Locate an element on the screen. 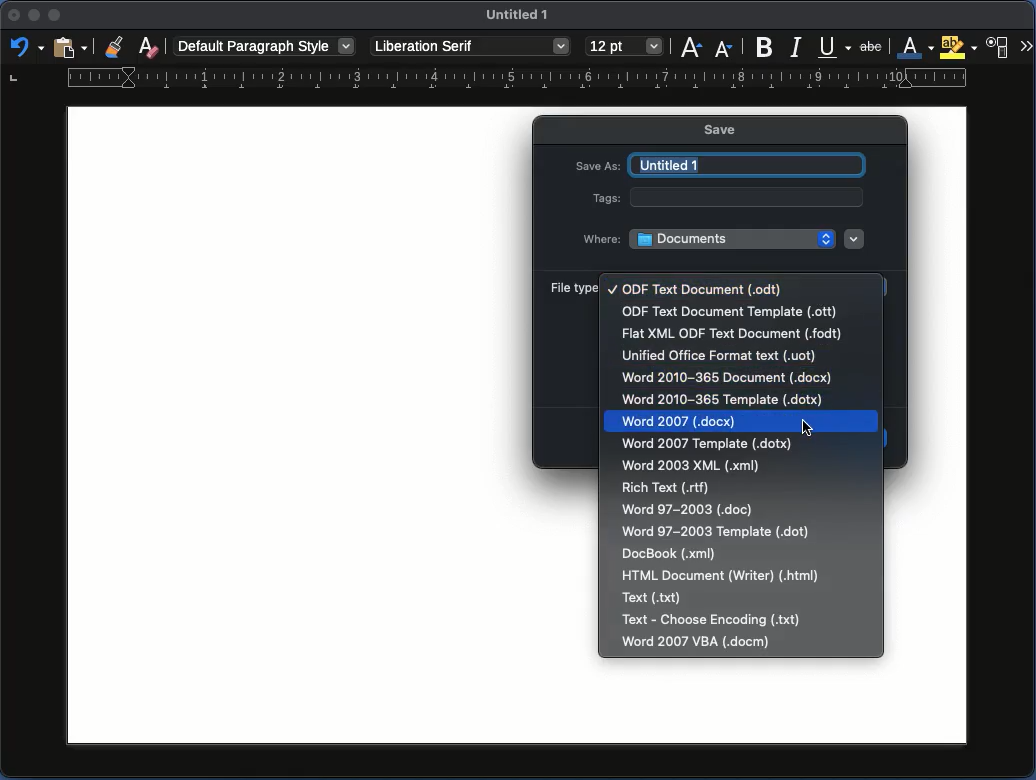 The width and height of the screenshot is (1036, 780). Minimize is located at coordinates (35, 18).